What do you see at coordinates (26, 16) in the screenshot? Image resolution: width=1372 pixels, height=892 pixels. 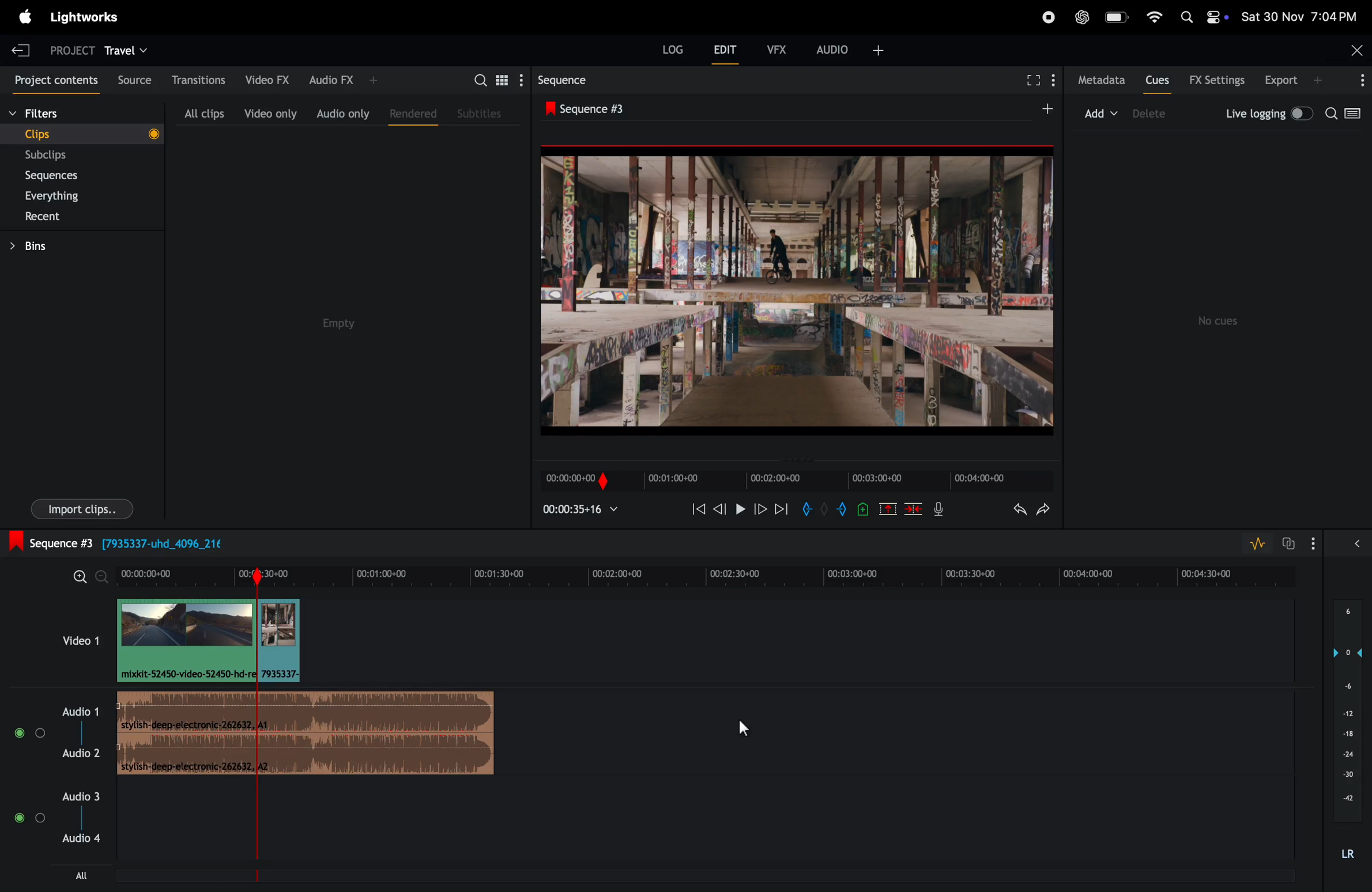 I see `apple menu` at bounding box center [26, 16].